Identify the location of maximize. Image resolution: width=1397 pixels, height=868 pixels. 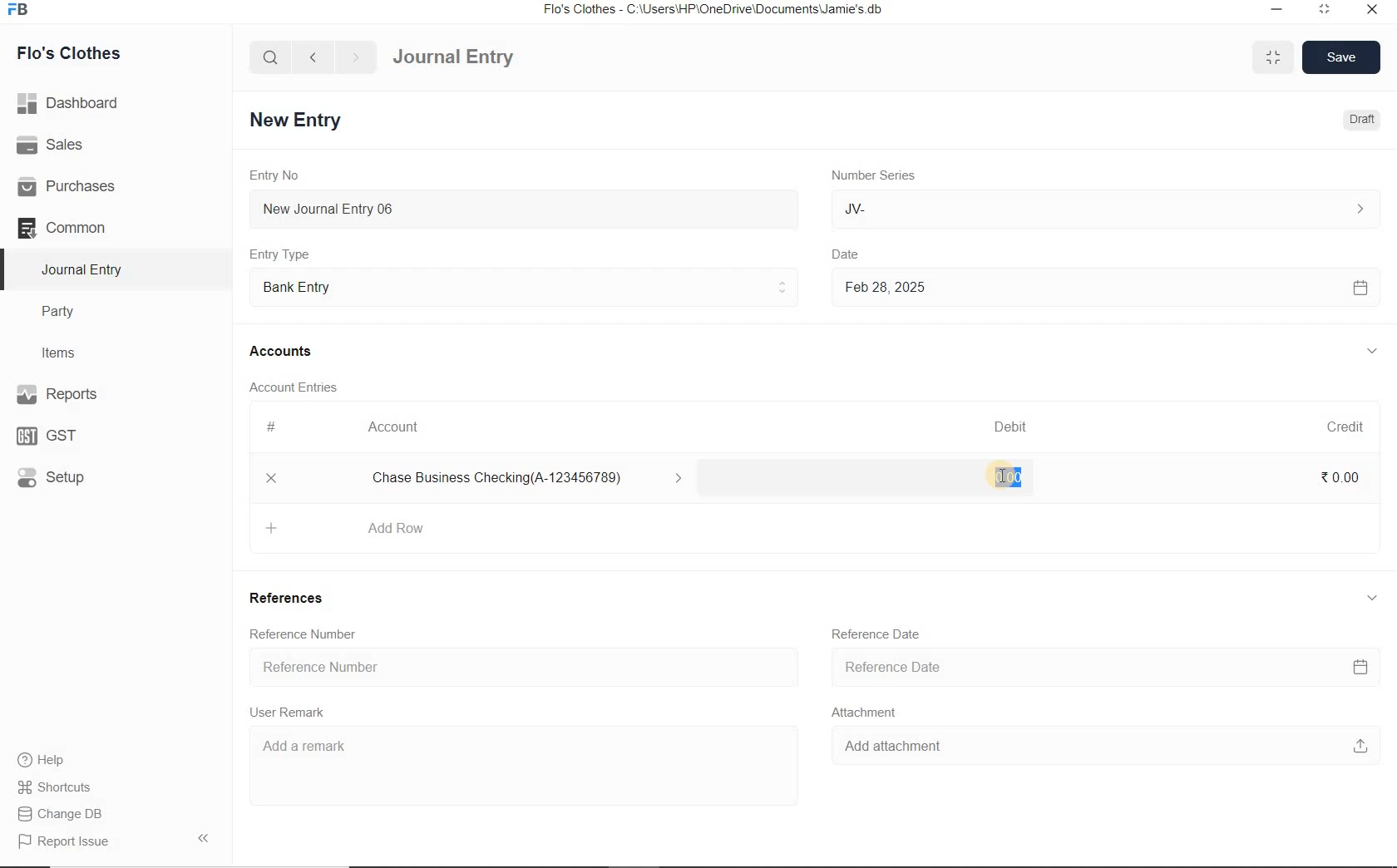
(1325, 8).